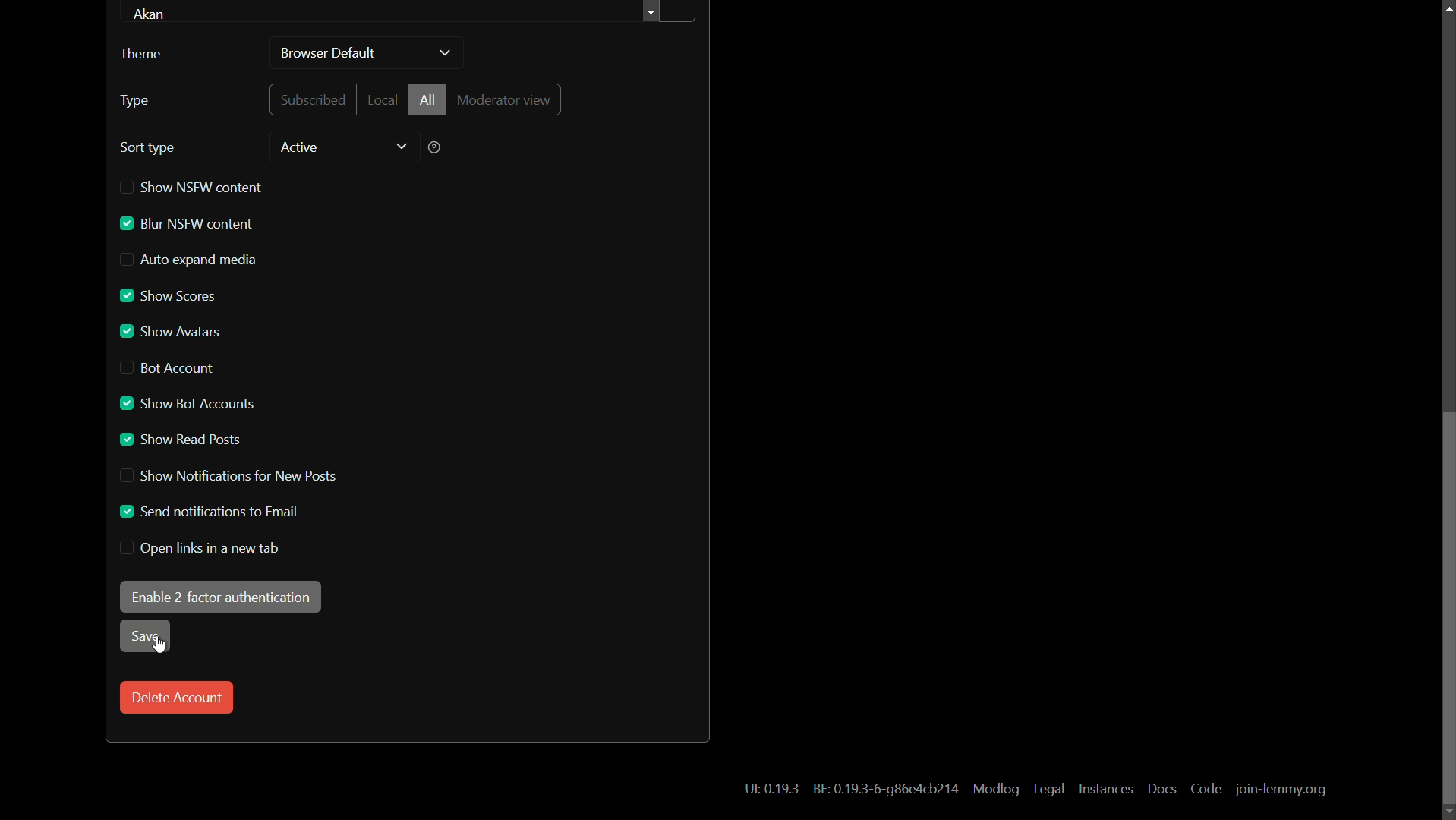 The image size is (1456, 820). I want to click on show read posts, so click(180, 441).